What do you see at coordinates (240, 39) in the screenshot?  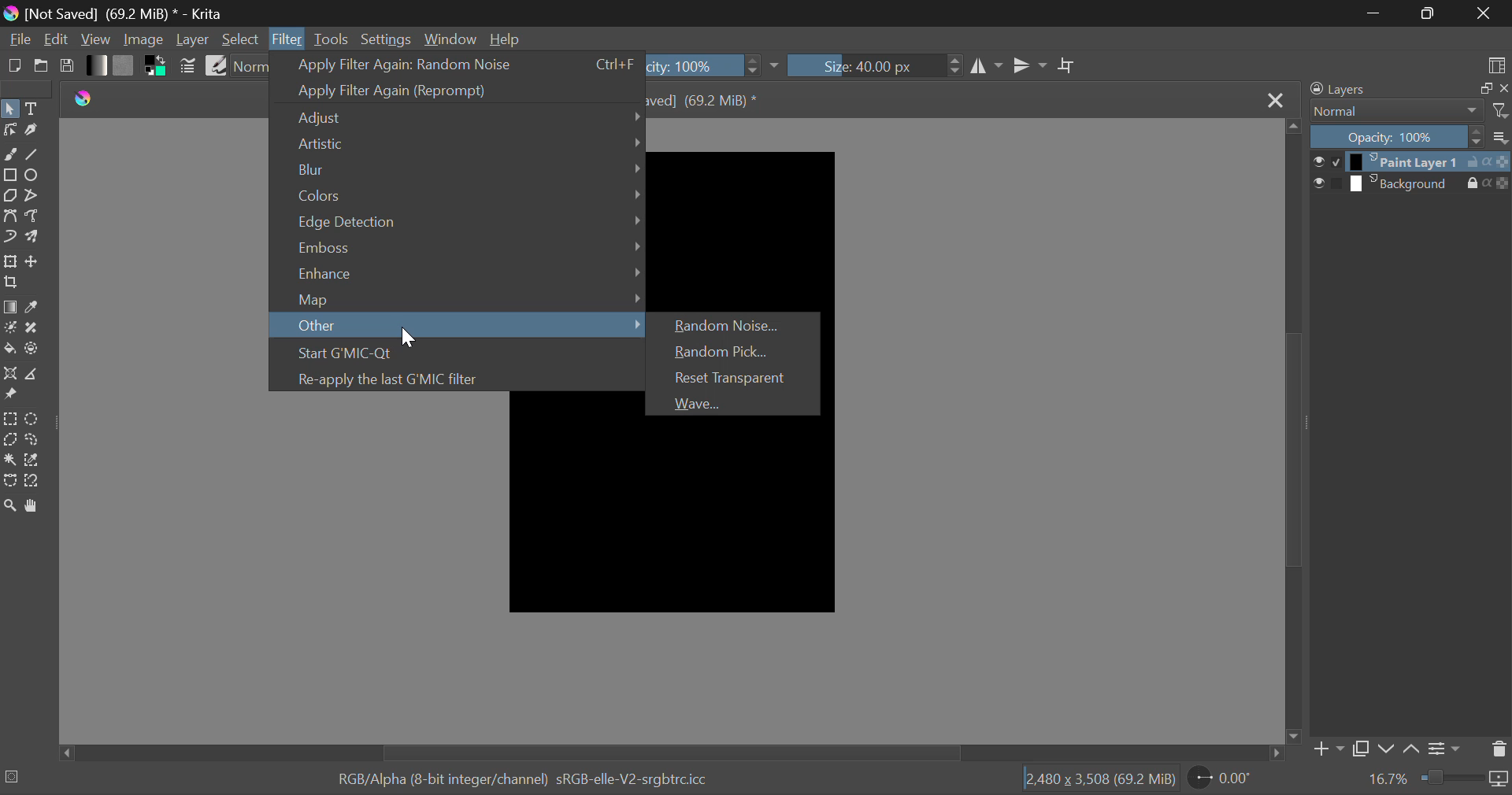 I see `Select` at bounding box center [240, 39].